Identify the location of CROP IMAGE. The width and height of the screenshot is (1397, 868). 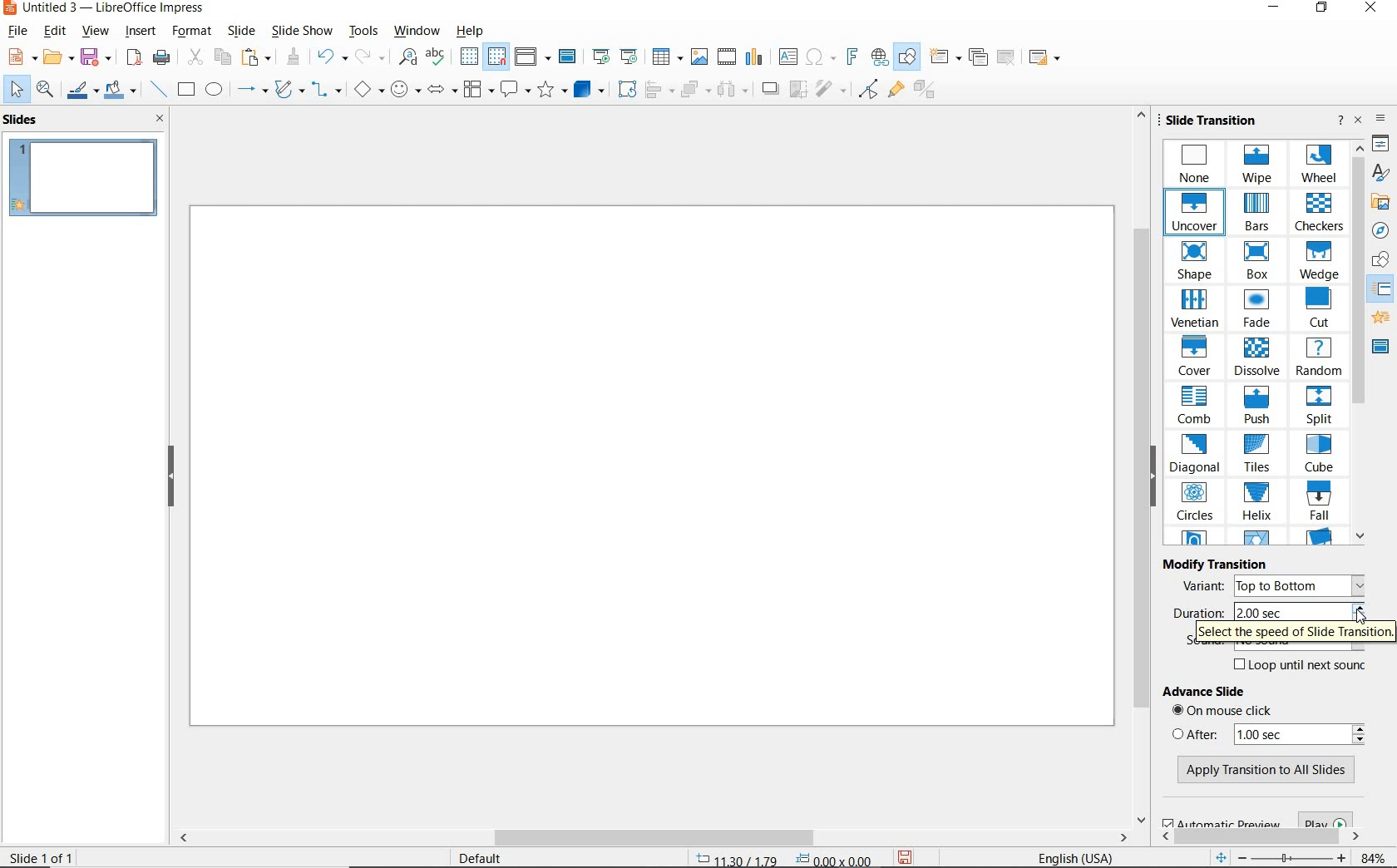
(796, 90).